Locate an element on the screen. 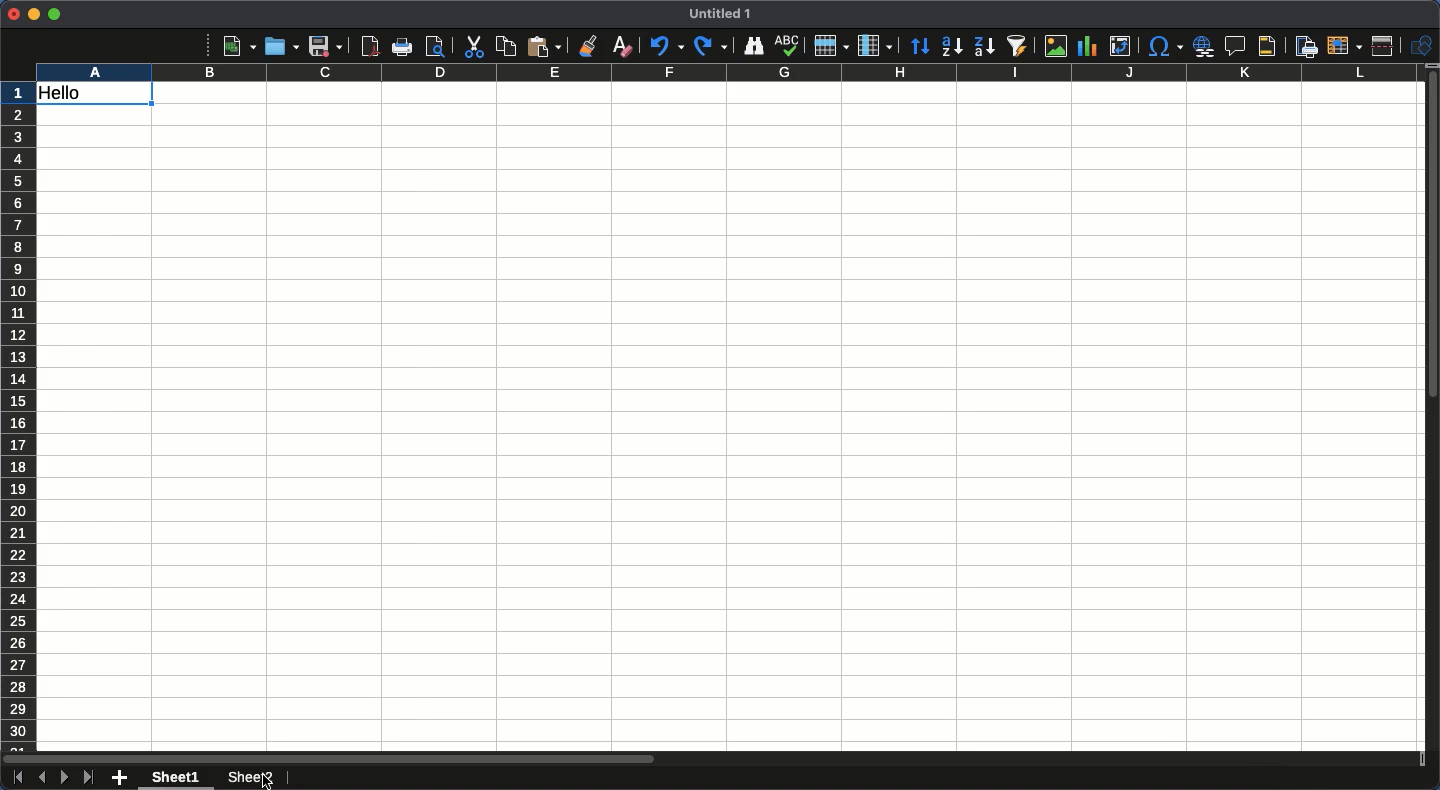  Maximize is located at coordinates (54, 14).